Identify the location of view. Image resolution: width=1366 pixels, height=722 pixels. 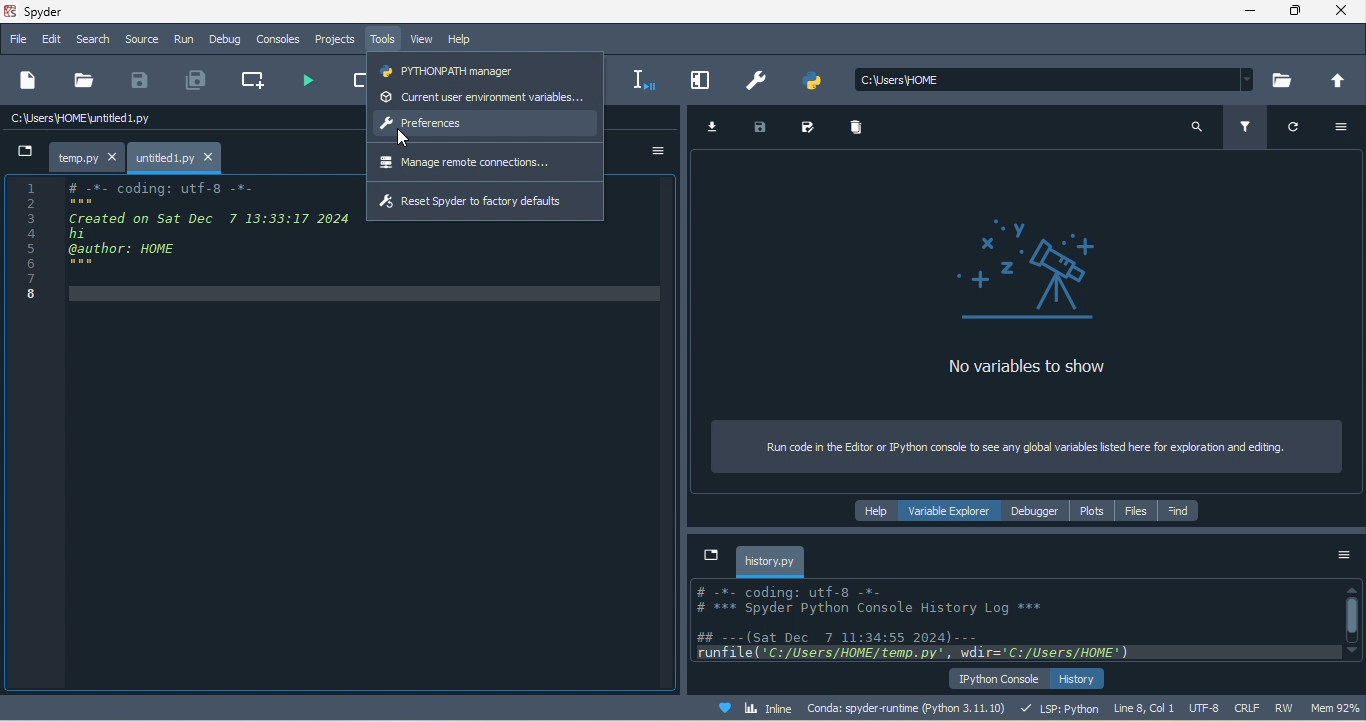
(422, 37).